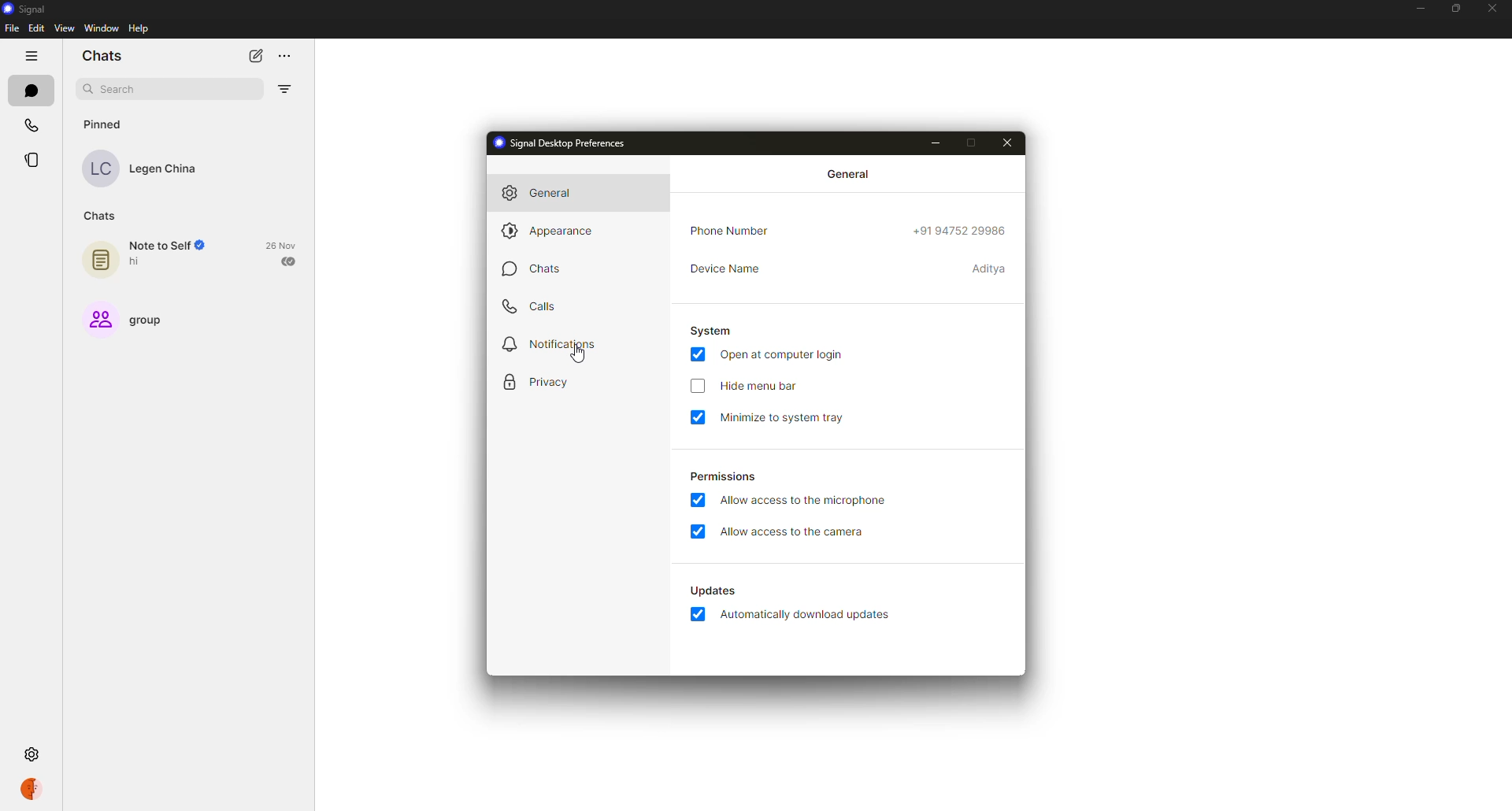  Describe the element at coordinates (556, 343) in the screenshot. I see `notifications` at that location.